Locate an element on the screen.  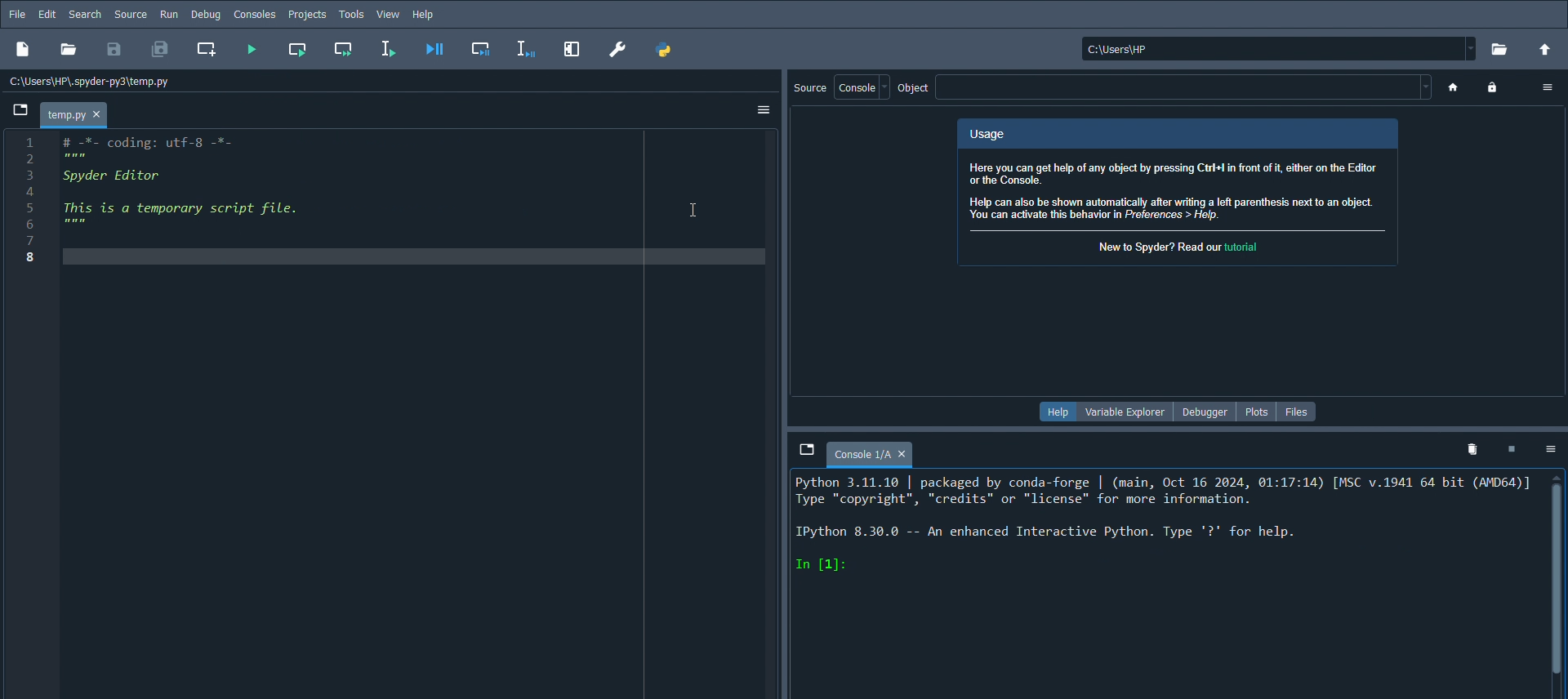
Source is located at coordinates (808, 88).